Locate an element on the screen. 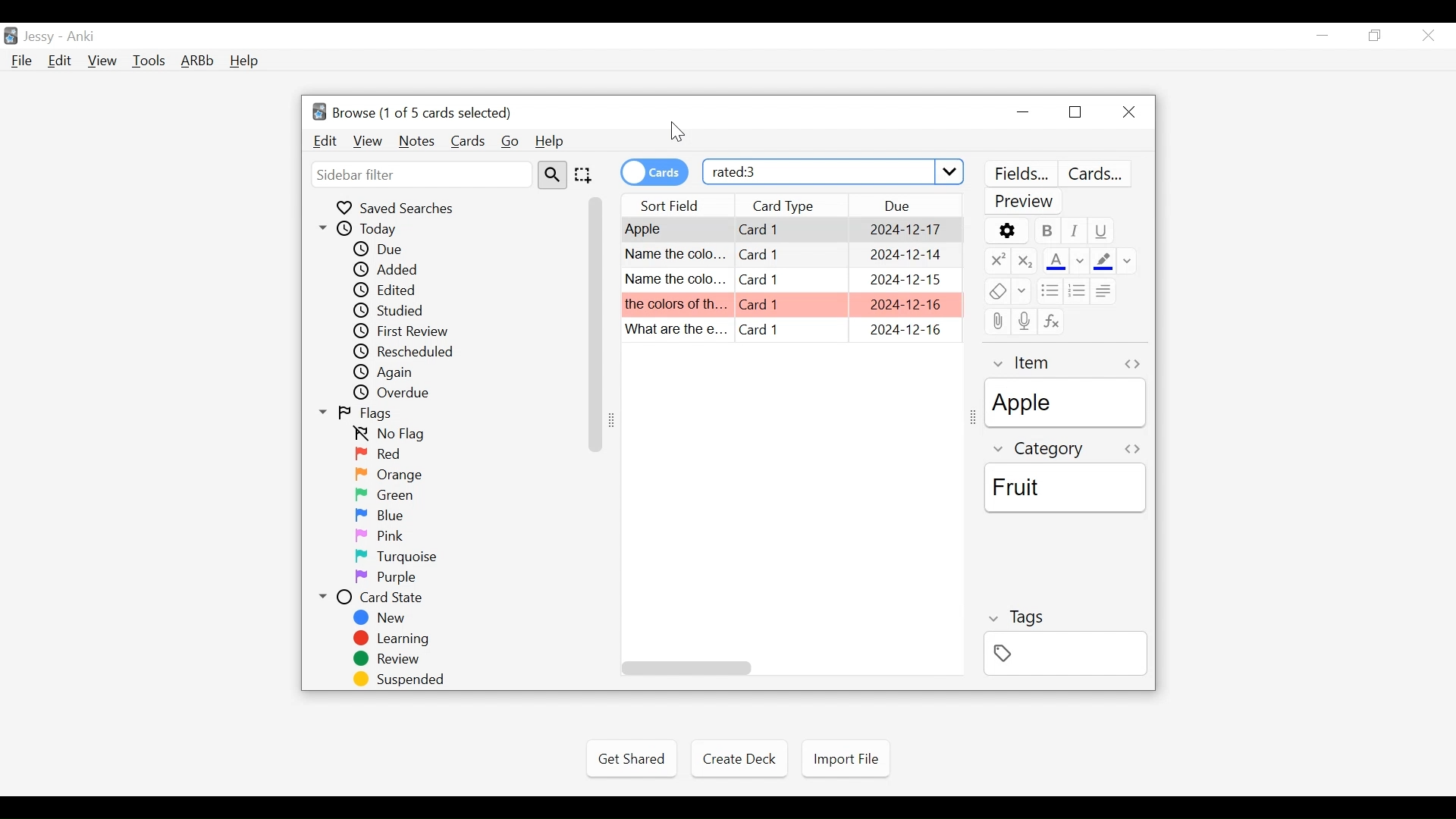  Go is located at coordinates (511, 143).